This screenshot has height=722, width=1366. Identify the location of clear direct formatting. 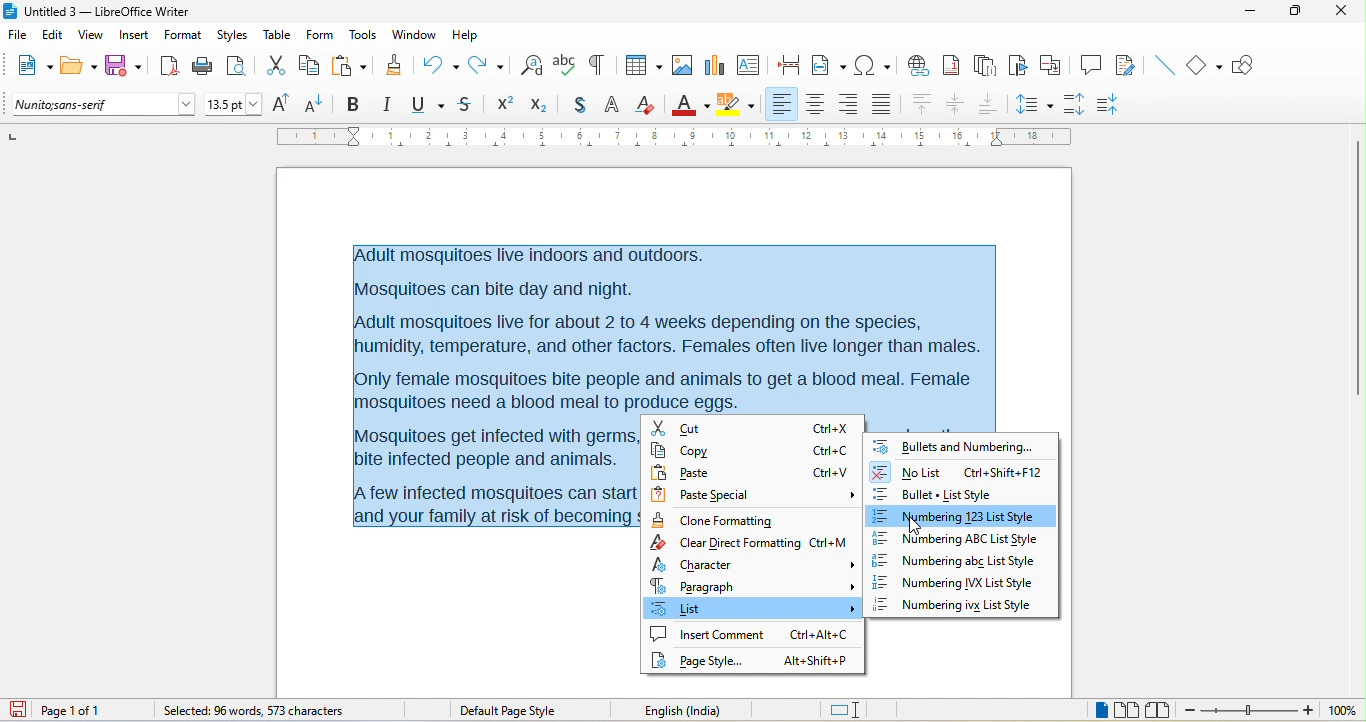
(755, 544).